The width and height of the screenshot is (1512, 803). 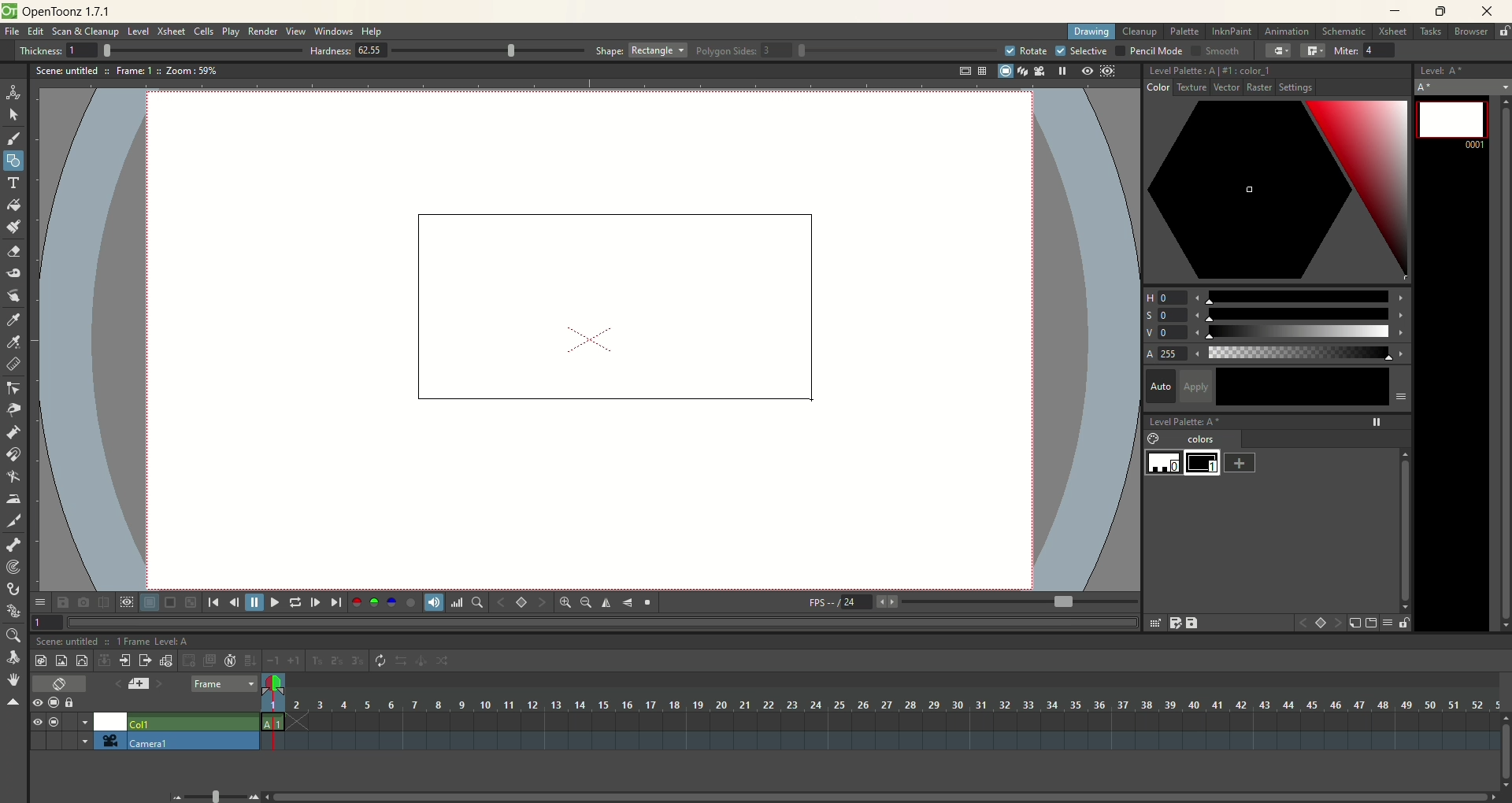 What do you see at coordinates (15, 32) in the screenshot?
I see `file` at bounding box center [15, 32].